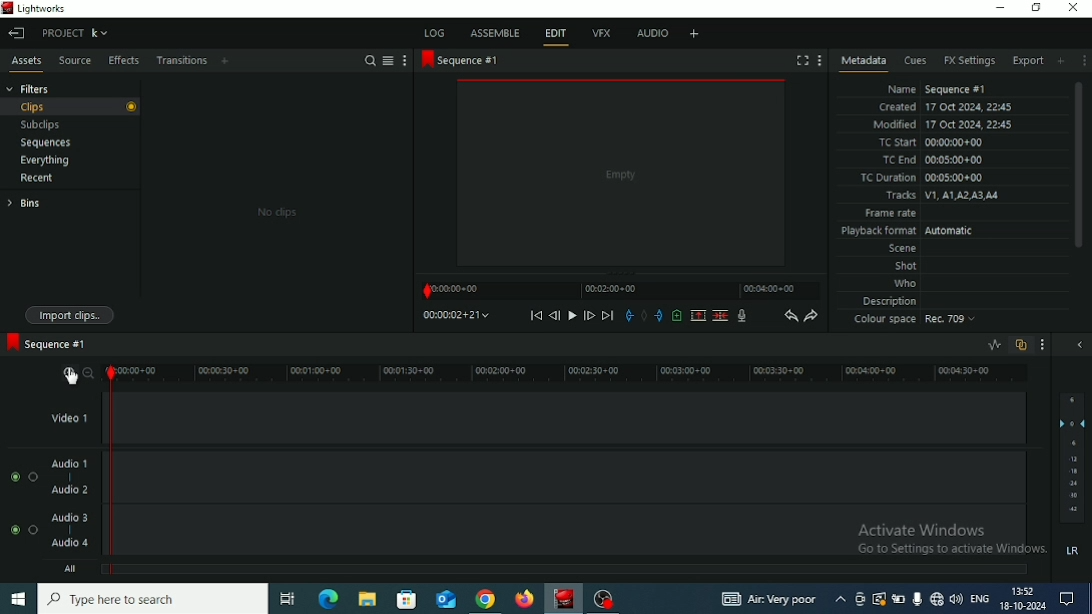 Image resolution: width=1092 pixels, height=614 pixels. I want to click on VFX, so click(603, 32).